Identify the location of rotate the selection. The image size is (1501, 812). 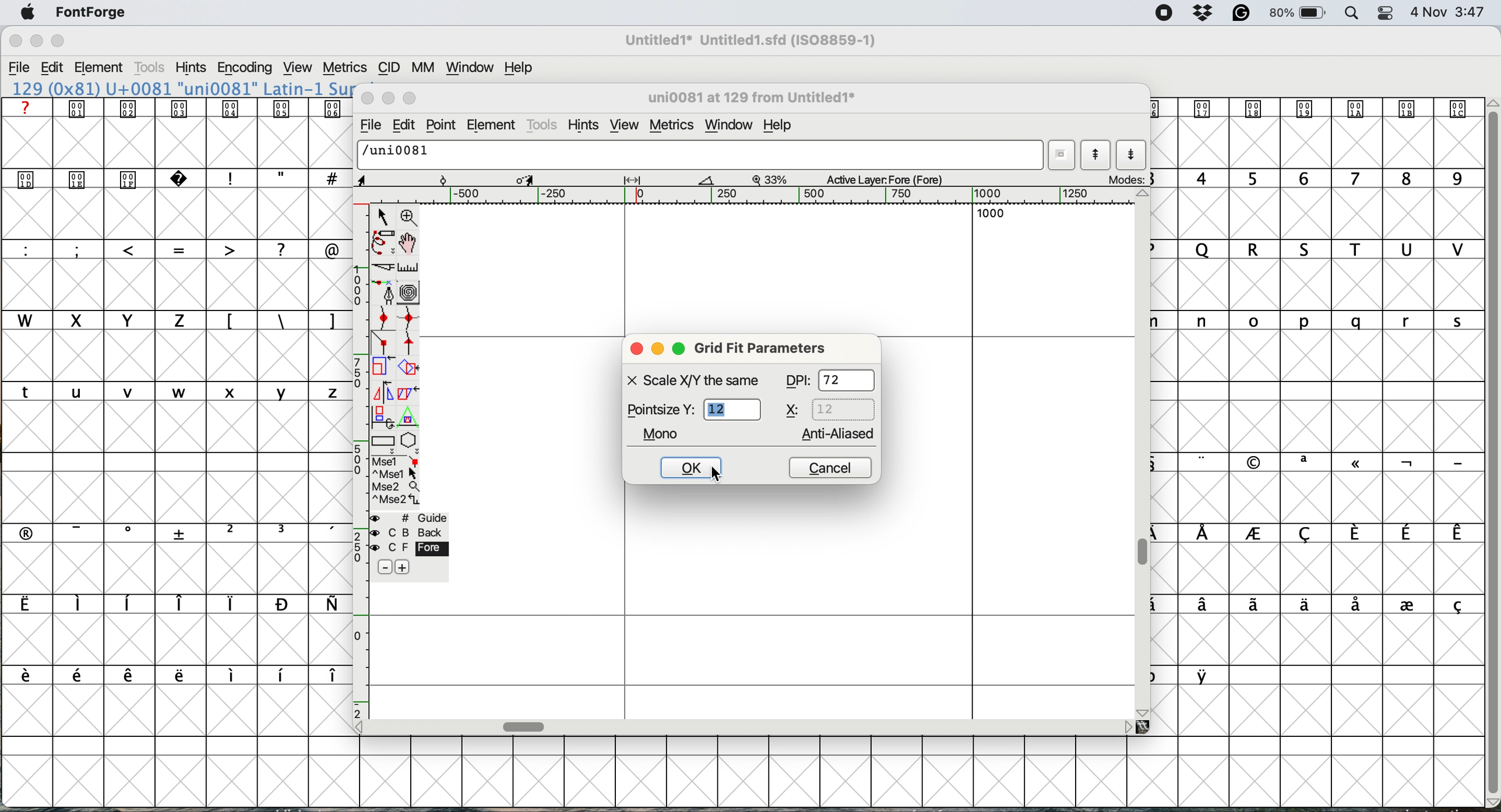
(407, 369).